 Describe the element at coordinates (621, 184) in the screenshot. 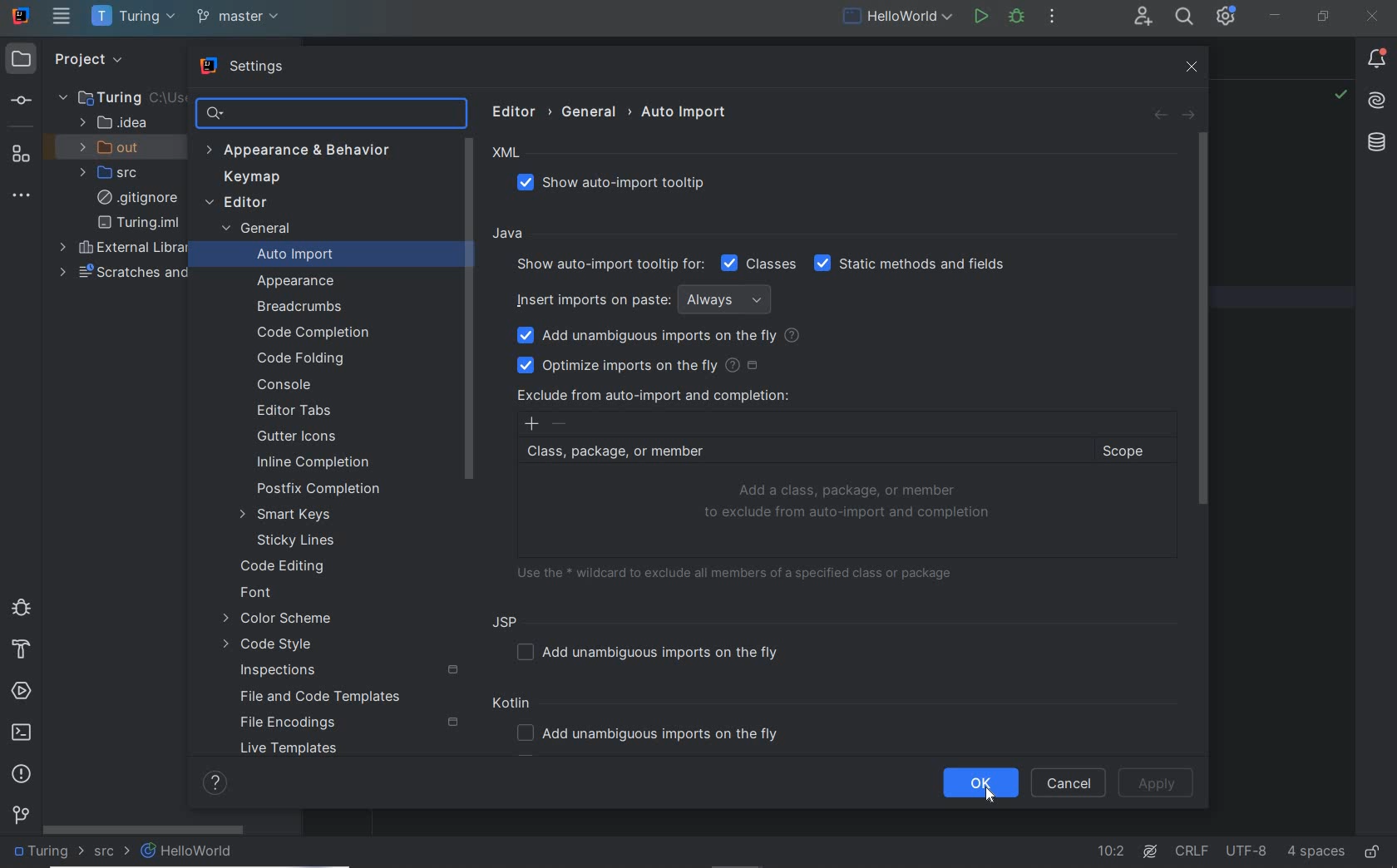

I see `SHOW AUTO-IMPORT TOOLTIP` at that location.